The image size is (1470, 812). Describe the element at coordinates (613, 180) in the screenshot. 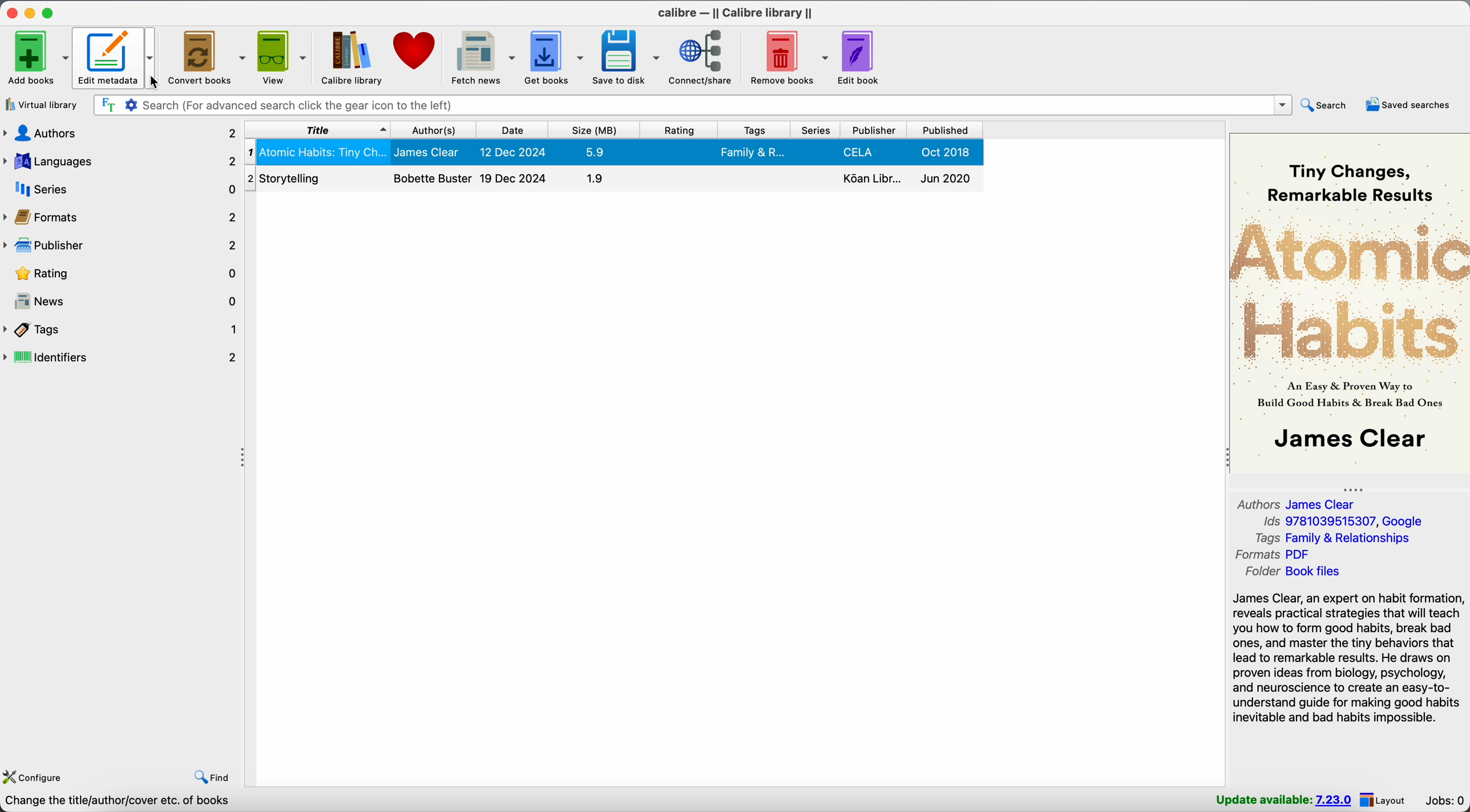

I see `Storytelling` at that location.